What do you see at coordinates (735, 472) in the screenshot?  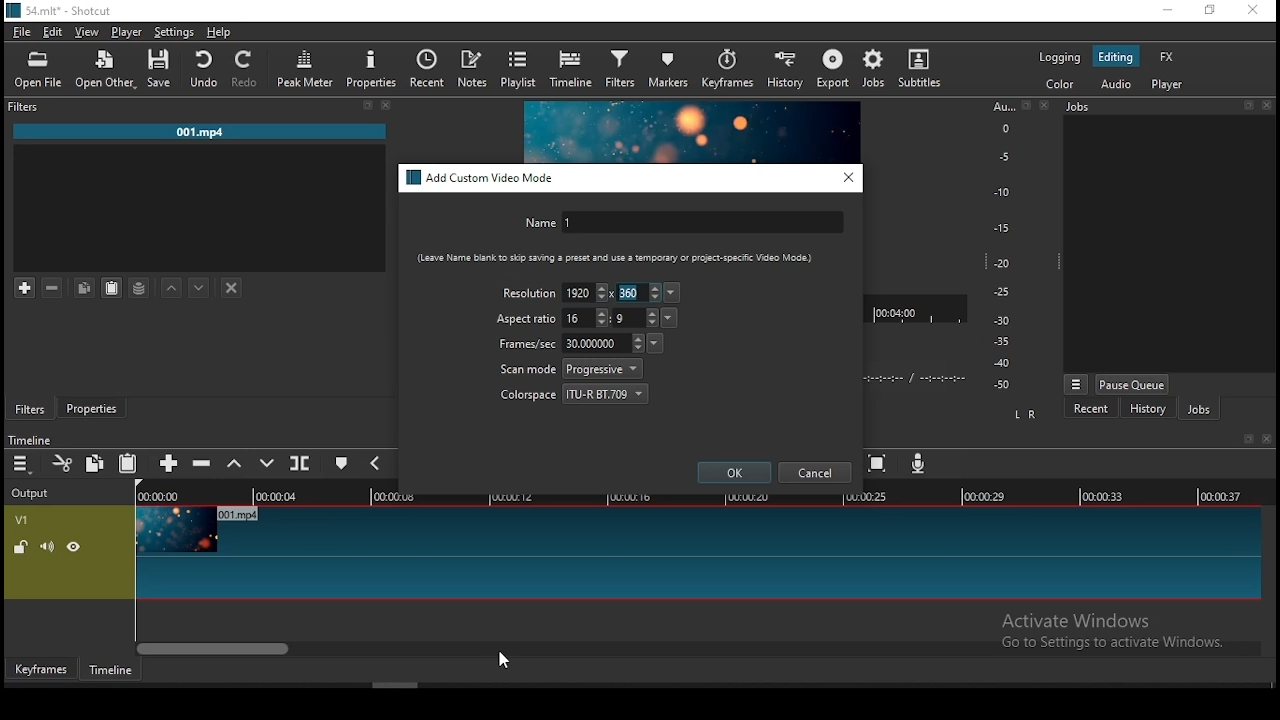 I see `ok` at bounding box center [735, 472].